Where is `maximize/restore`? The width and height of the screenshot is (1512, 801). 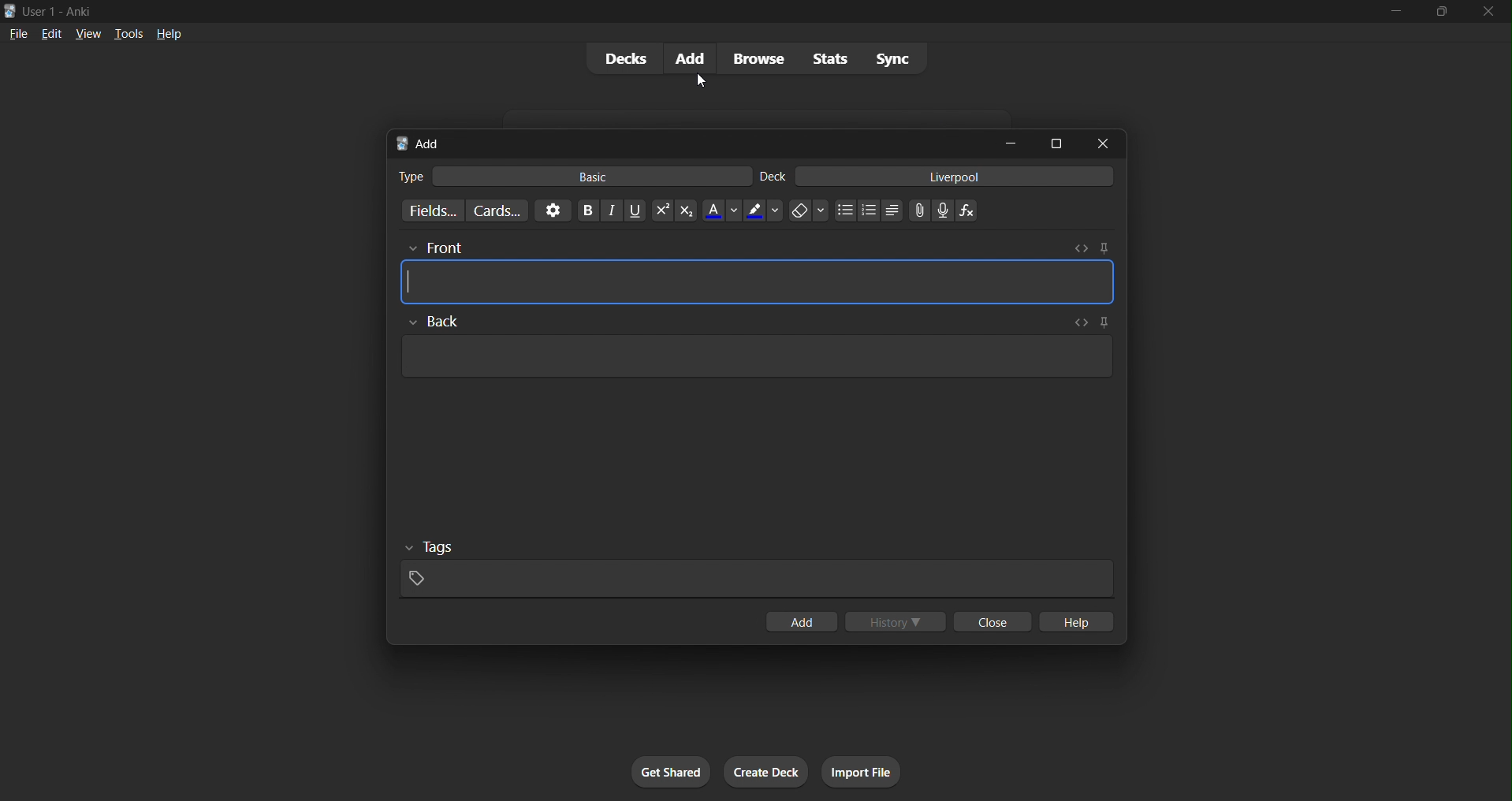 maximize/restore is located at coordinates (1447, 12).